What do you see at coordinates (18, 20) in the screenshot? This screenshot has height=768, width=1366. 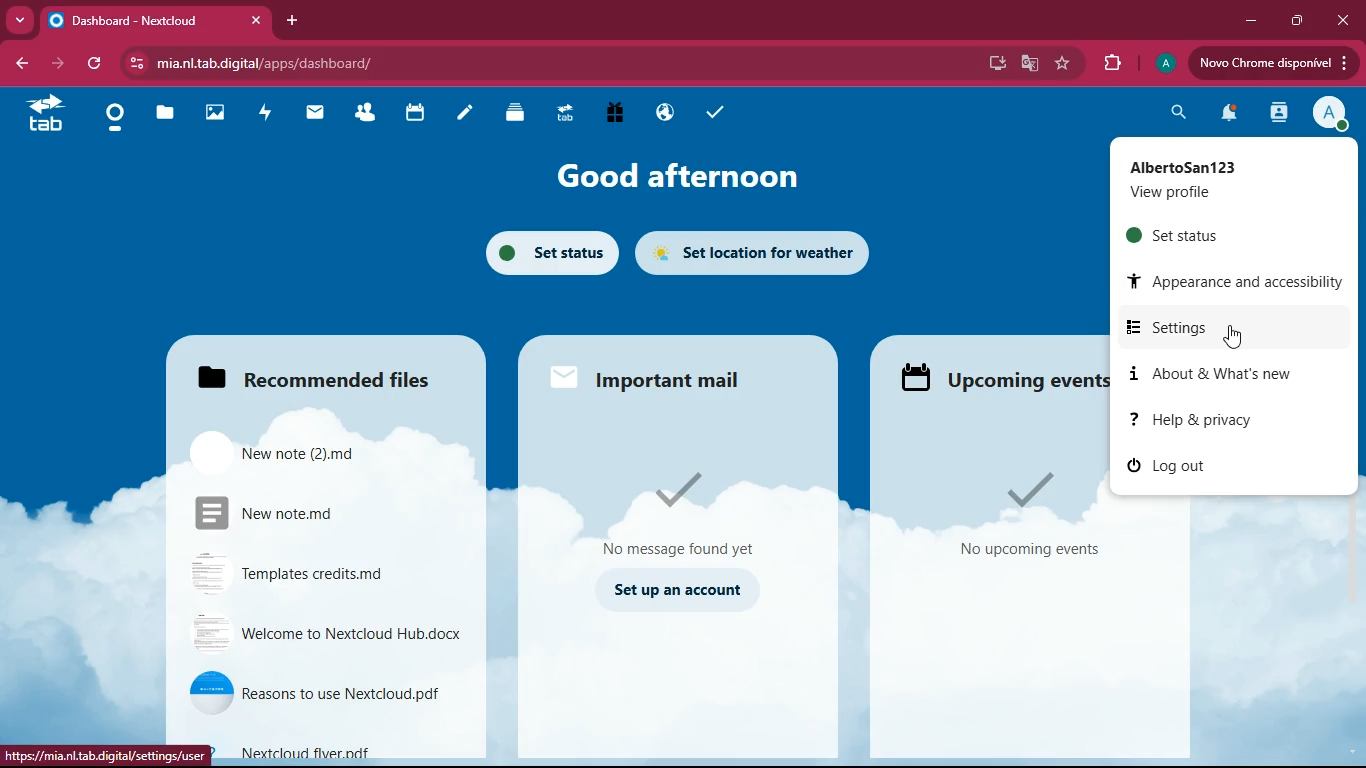 I see `more` at bounding box center [18, 20].